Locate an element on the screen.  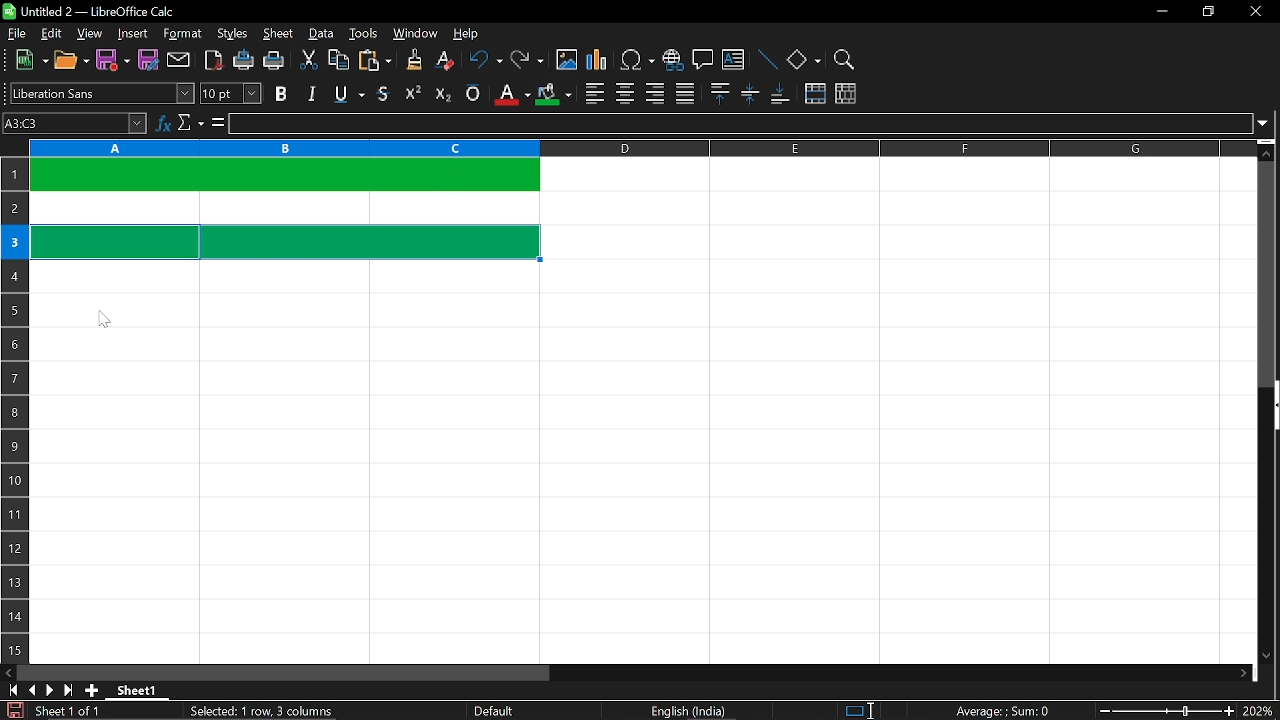
English (India) is located at coordinates (690, 711).